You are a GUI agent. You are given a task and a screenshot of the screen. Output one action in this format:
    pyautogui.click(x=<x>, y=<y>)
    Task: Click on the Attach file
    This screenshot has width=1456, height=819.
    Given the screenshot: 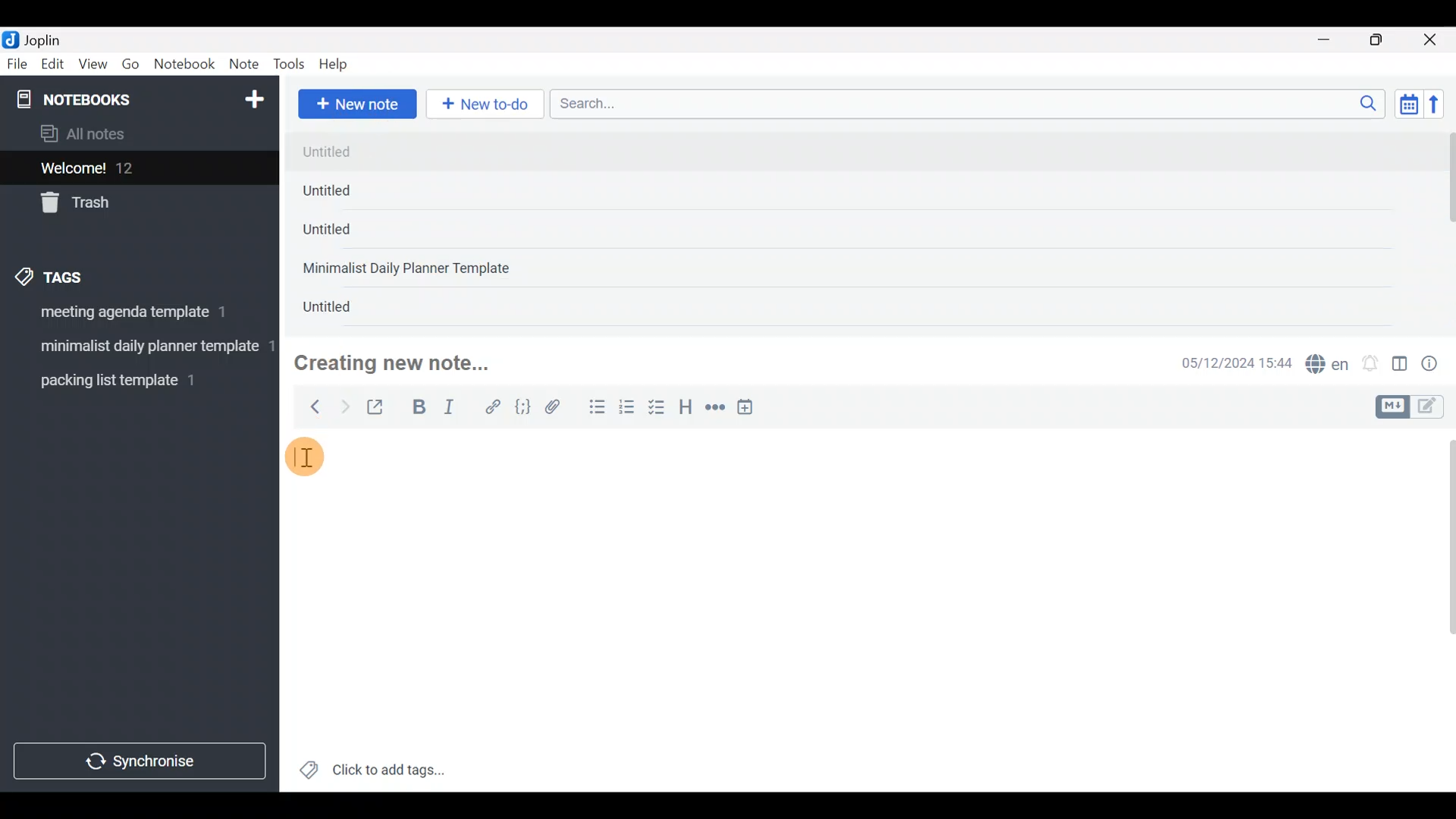 What is the action you would take?
    pyautogui.click(x=557, y=409)
    